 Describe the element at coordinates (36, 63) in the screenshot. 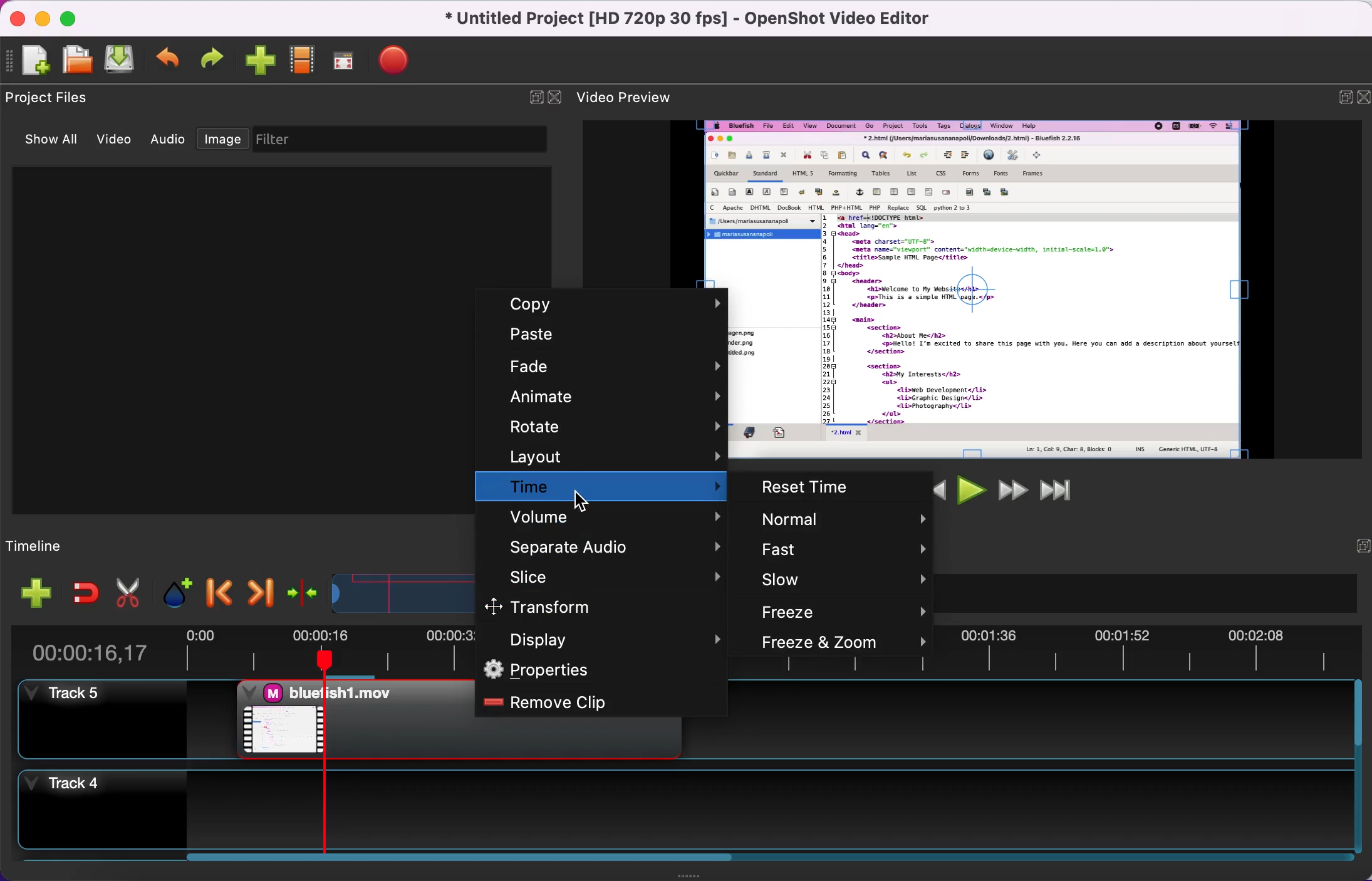

I see `new project` at that location.